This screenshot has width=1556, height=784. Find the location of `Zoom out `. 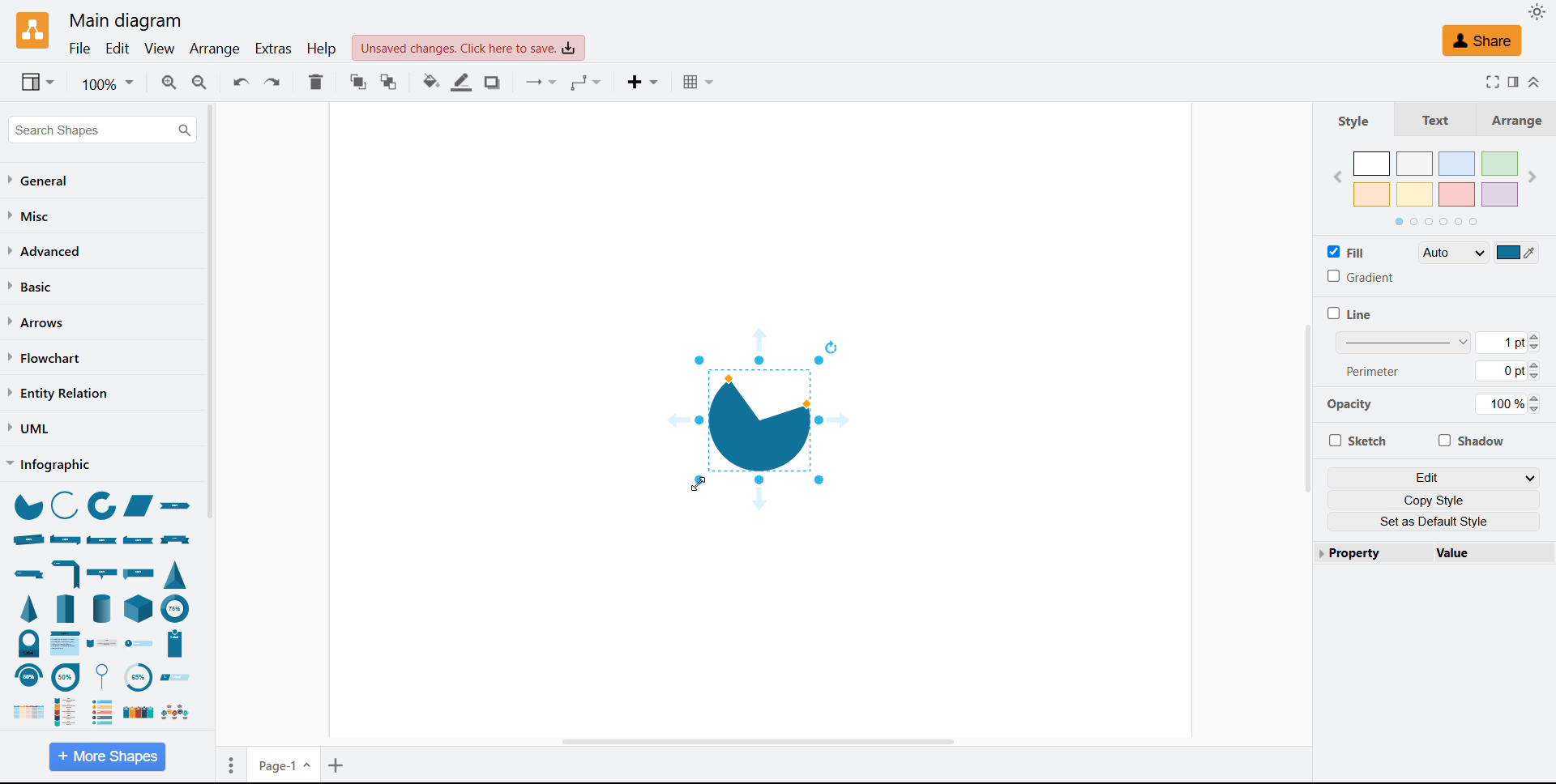

Zoom out  is located at coordinates (201, 82).